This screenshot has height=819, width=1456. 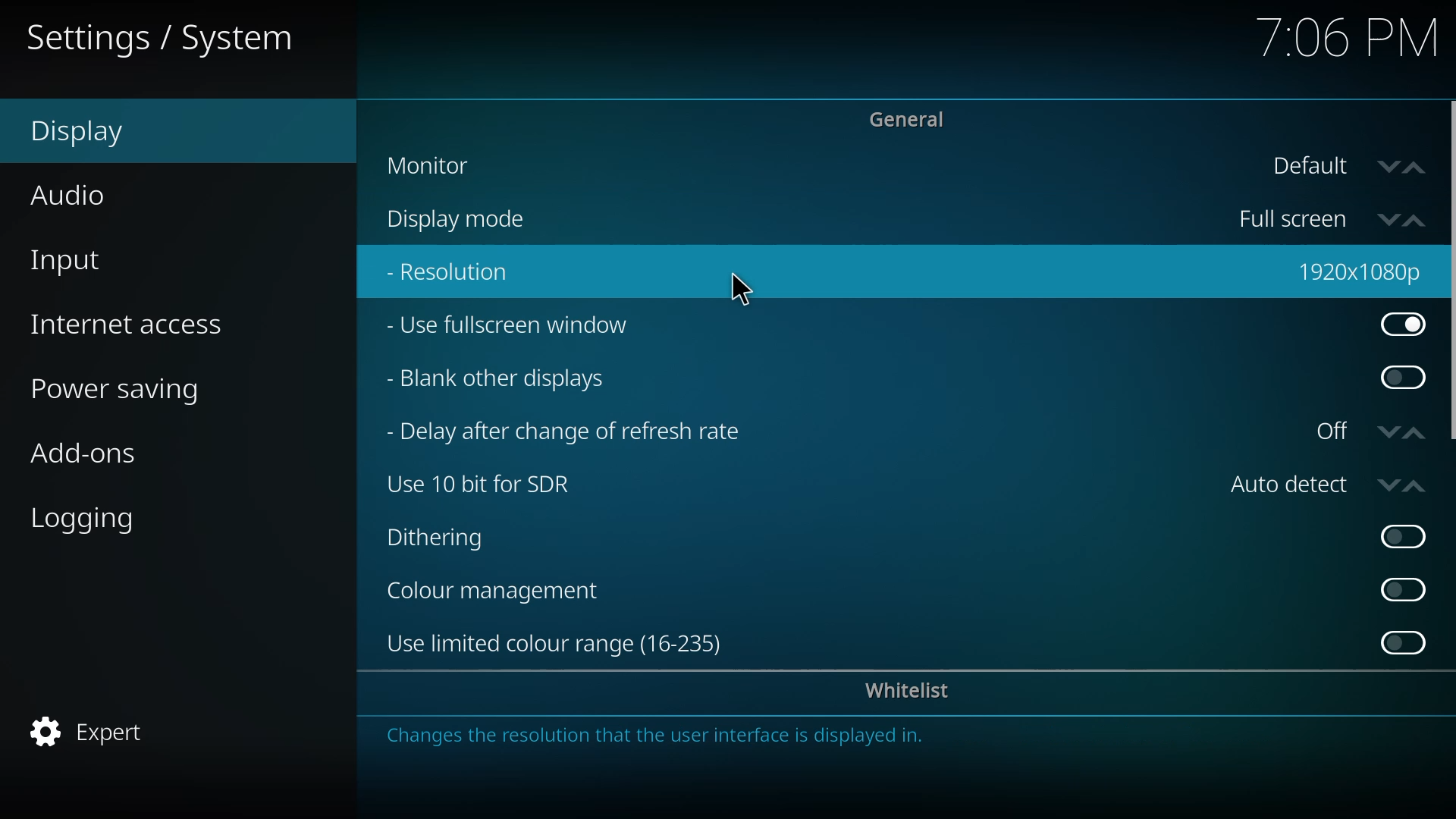 I want to click on system, so click(x=171, y=38).